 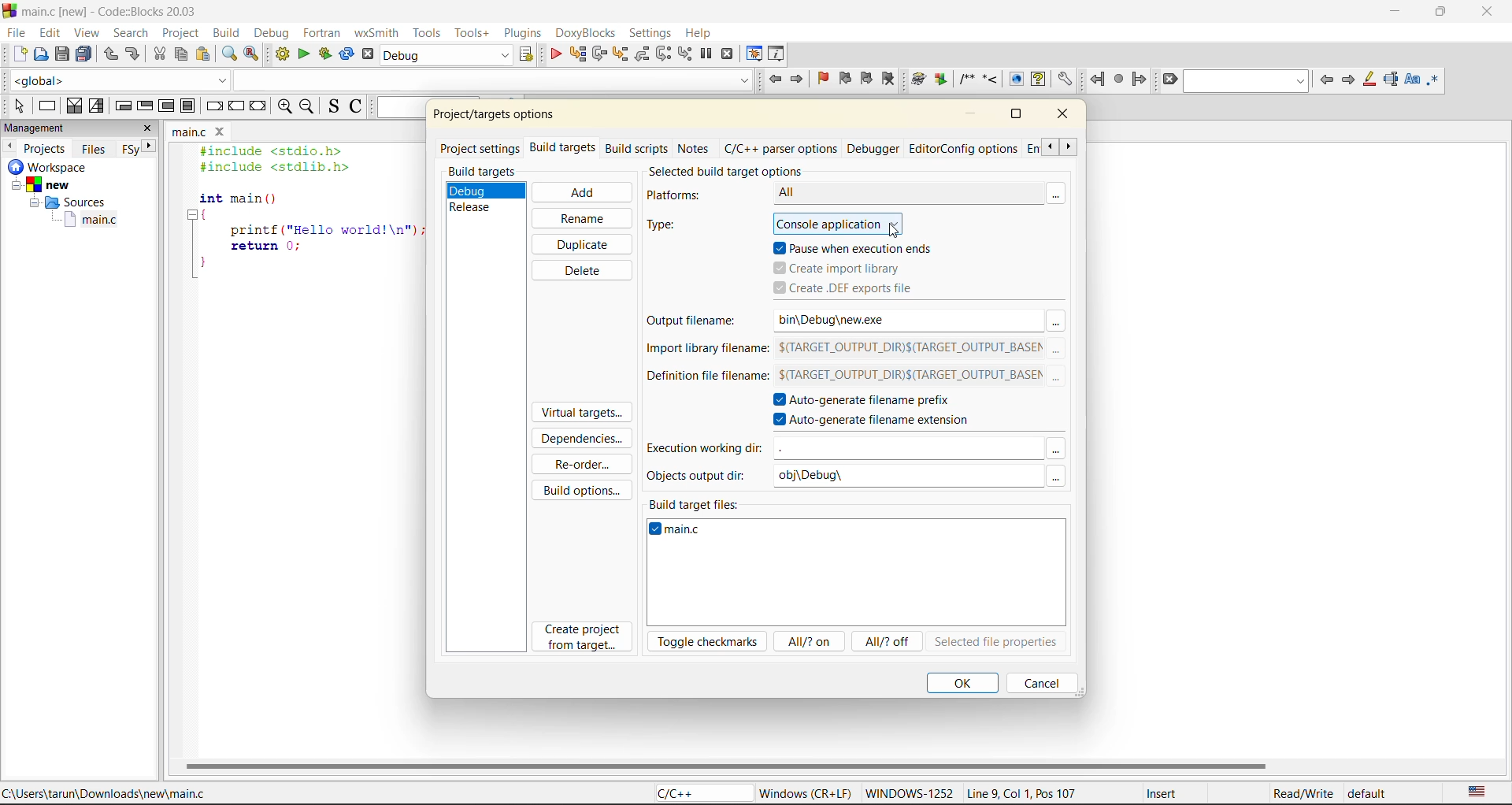 I want to click on new, so click(x=19, y=54).